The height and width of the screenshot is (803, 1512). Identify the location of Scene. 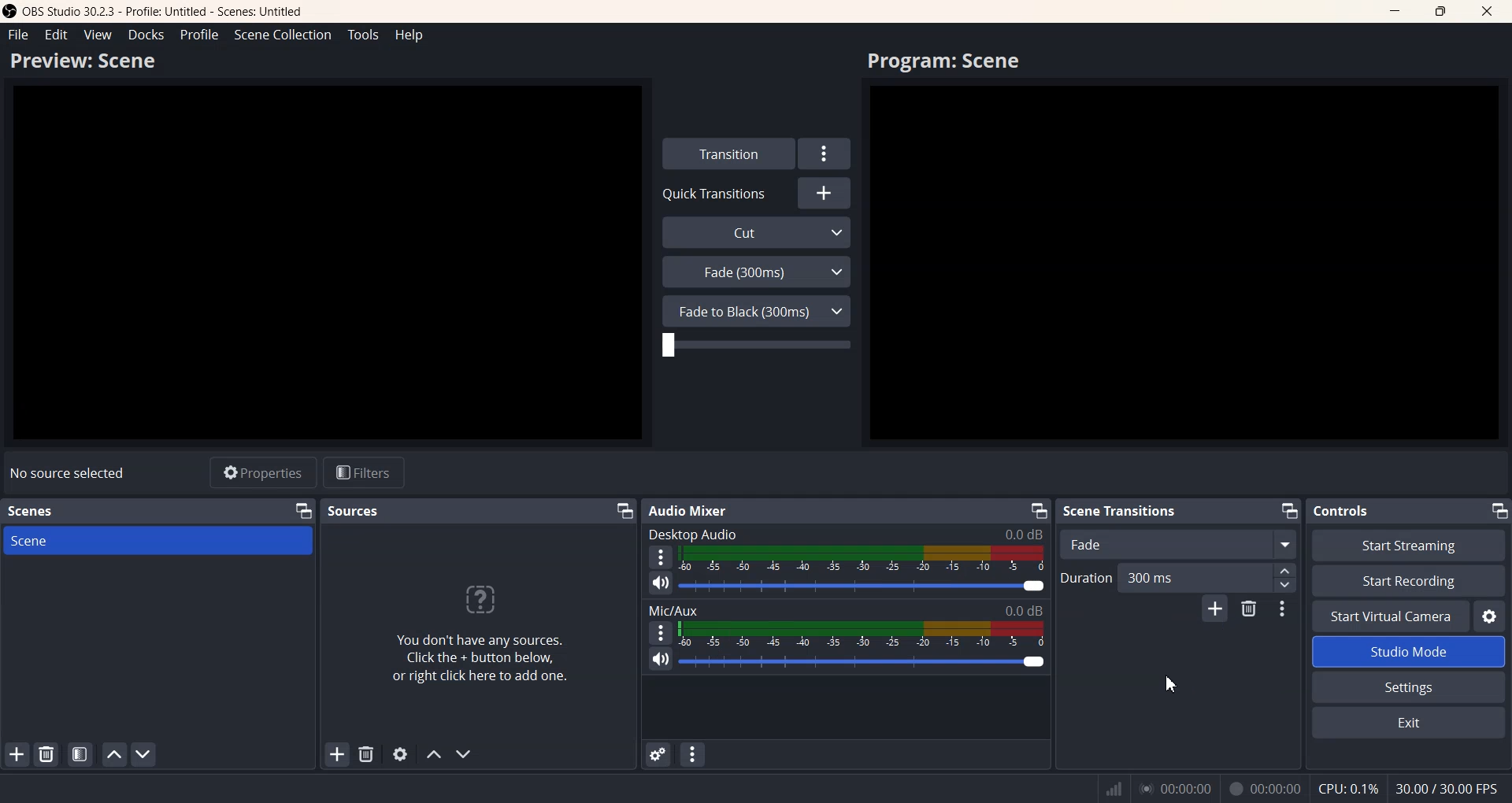
(157, 541).